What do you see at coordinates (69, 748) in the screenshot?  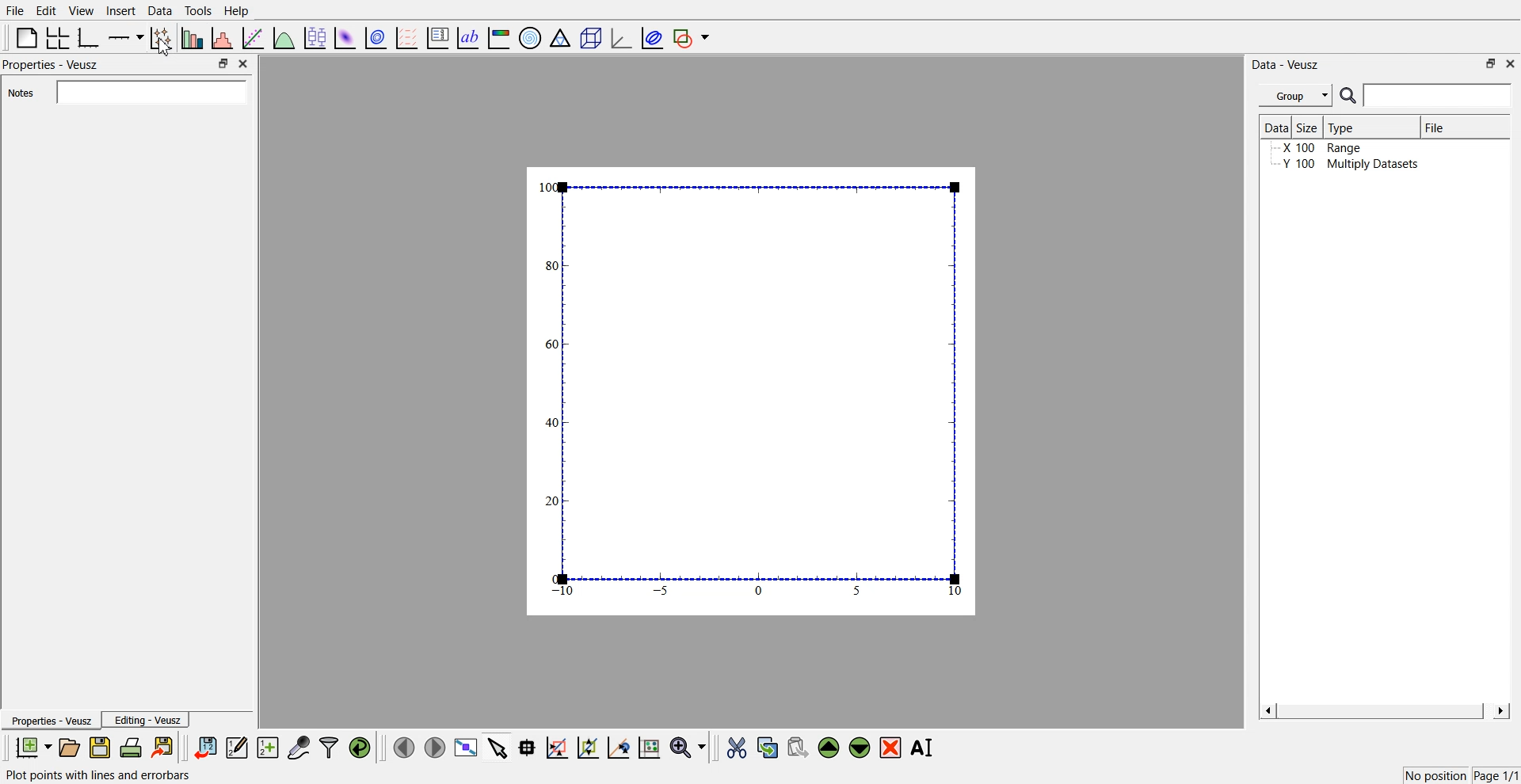 I see `open` at bounding box center [69, 748].